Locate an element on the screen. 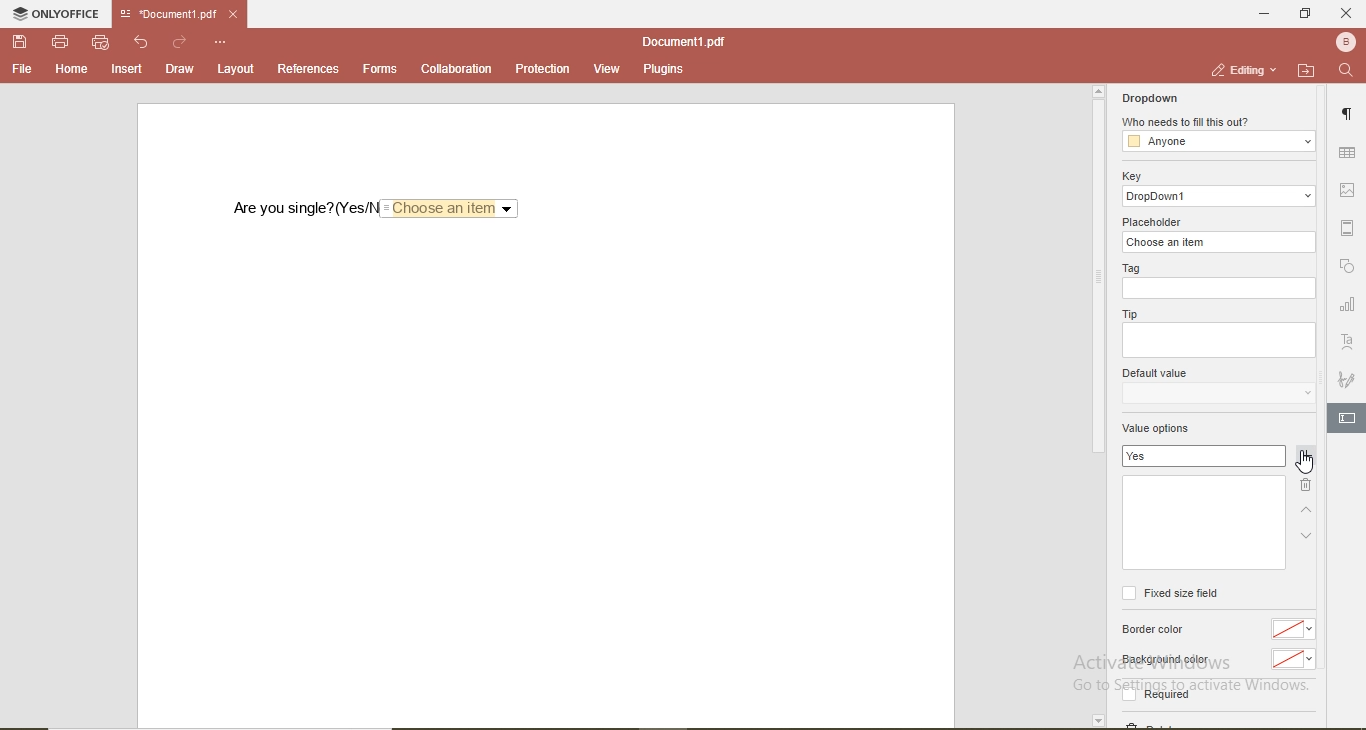  who needs to fill this out is located at coordinates (1188, 122).